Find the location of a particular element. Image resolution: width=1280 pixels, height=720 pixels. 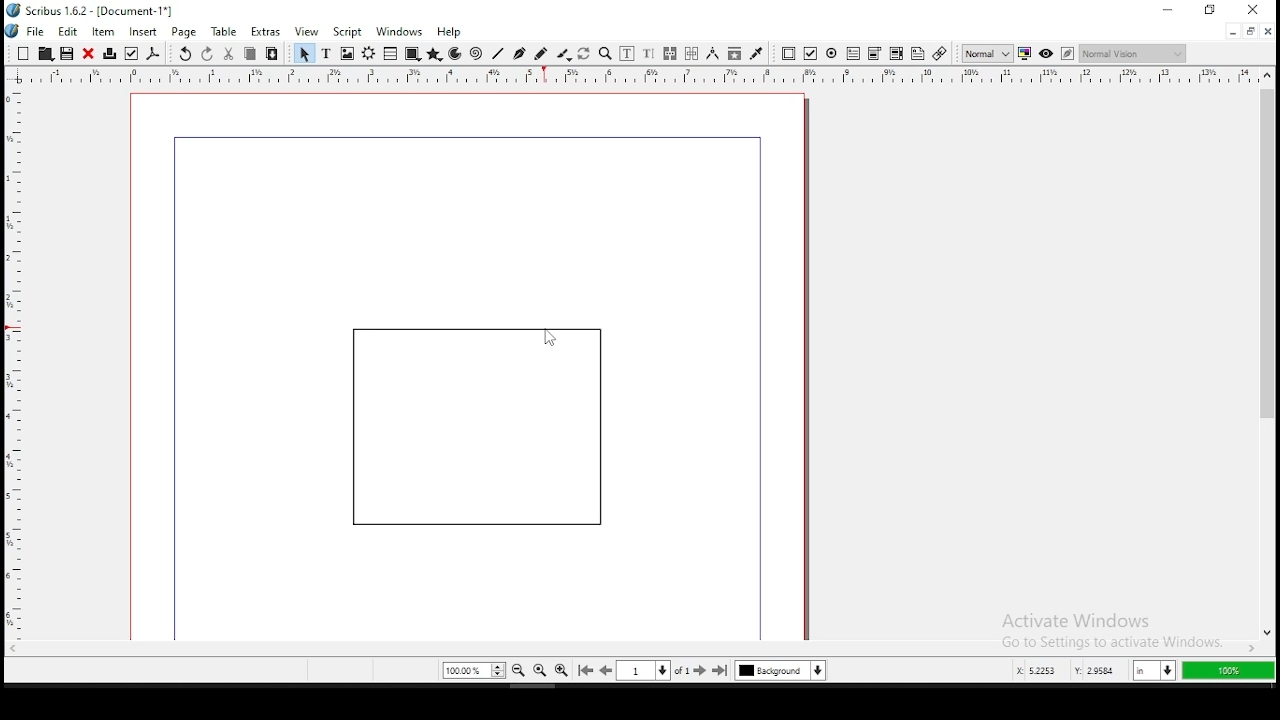

pdf combo box is located at coordinates (896, 54).